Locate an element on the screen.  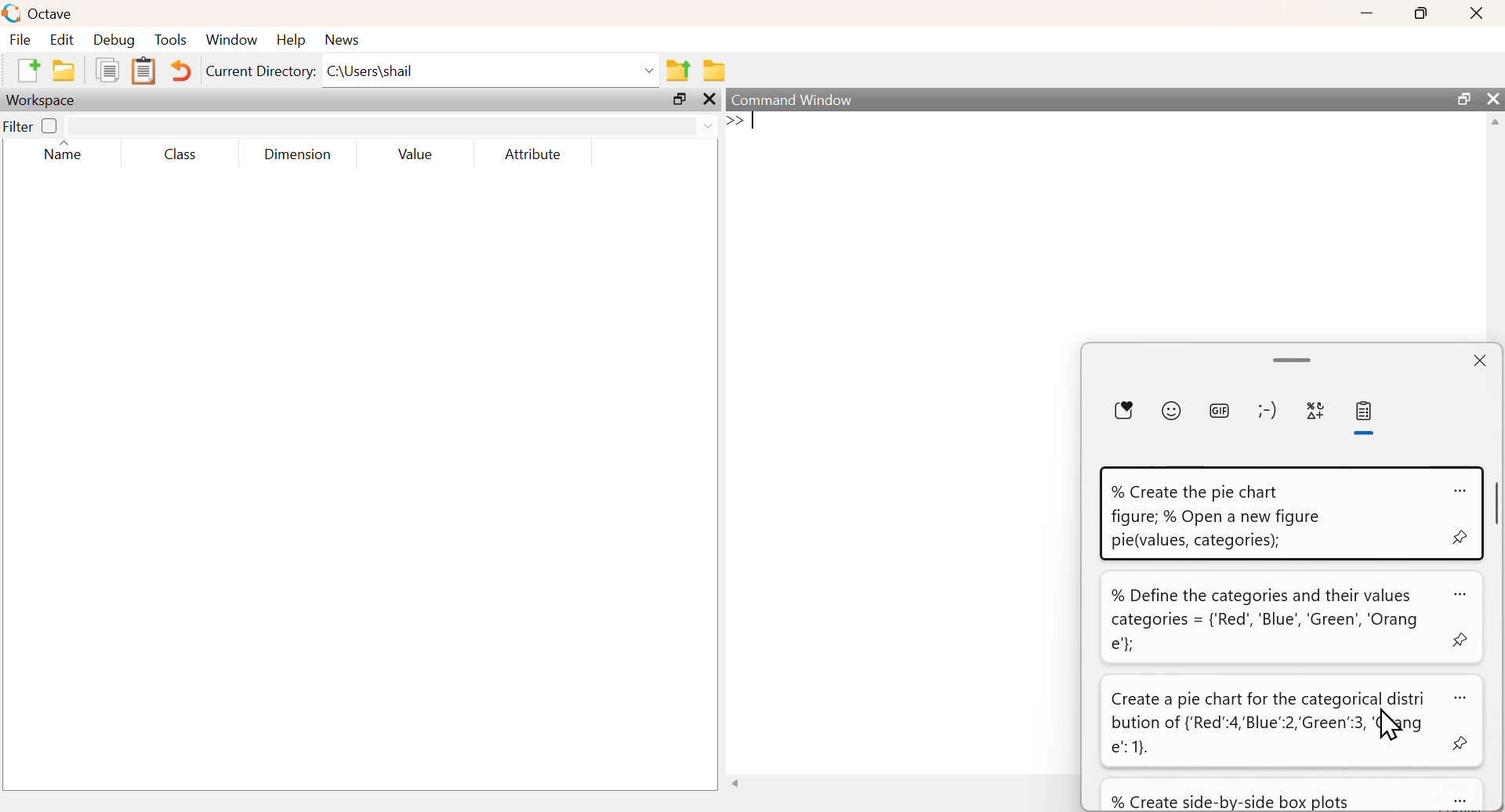
GIF is located at coordinates (1220, 409).